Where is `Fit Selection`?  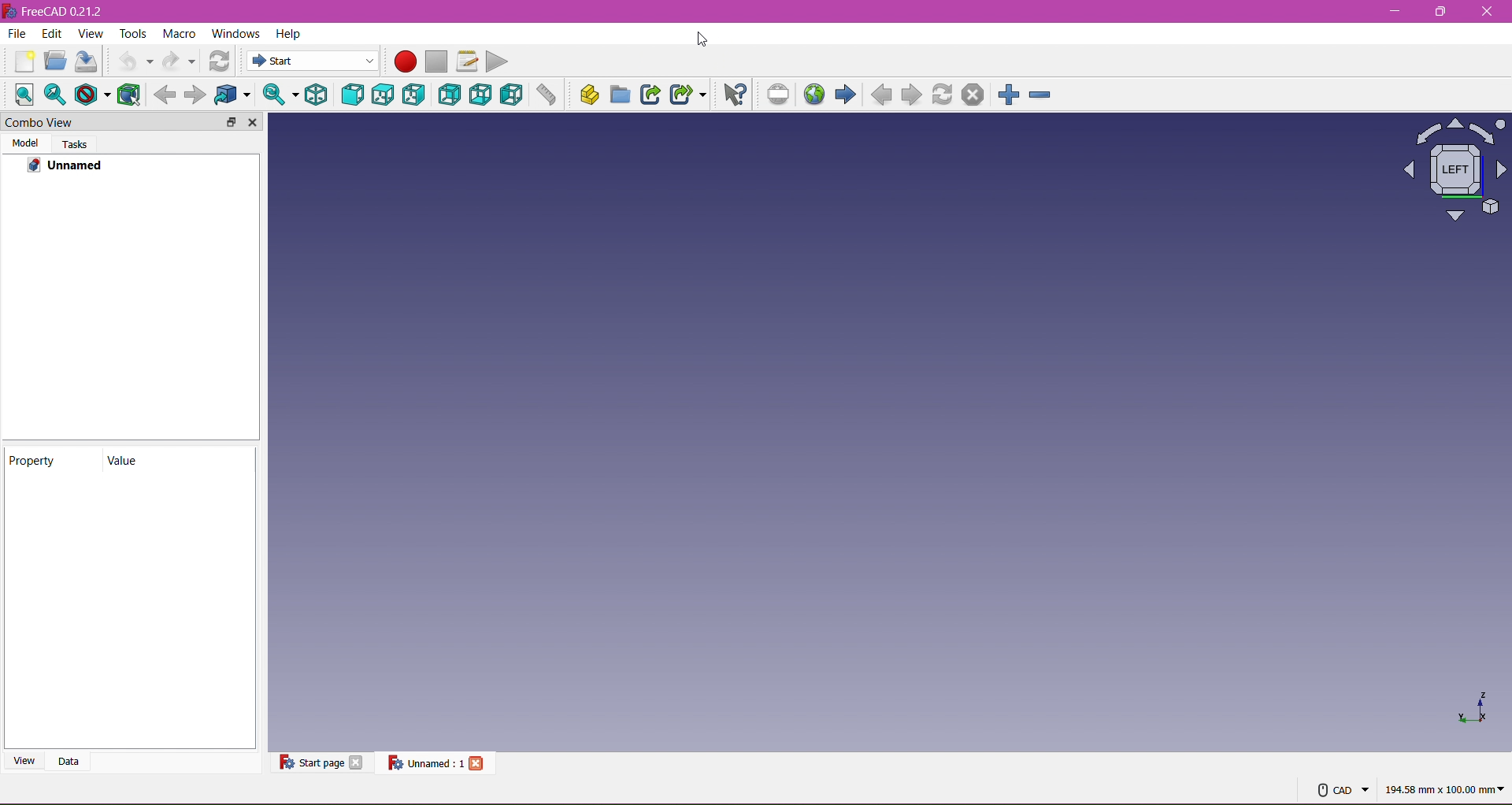 Fit Selection is located at coordinates (278, 94).